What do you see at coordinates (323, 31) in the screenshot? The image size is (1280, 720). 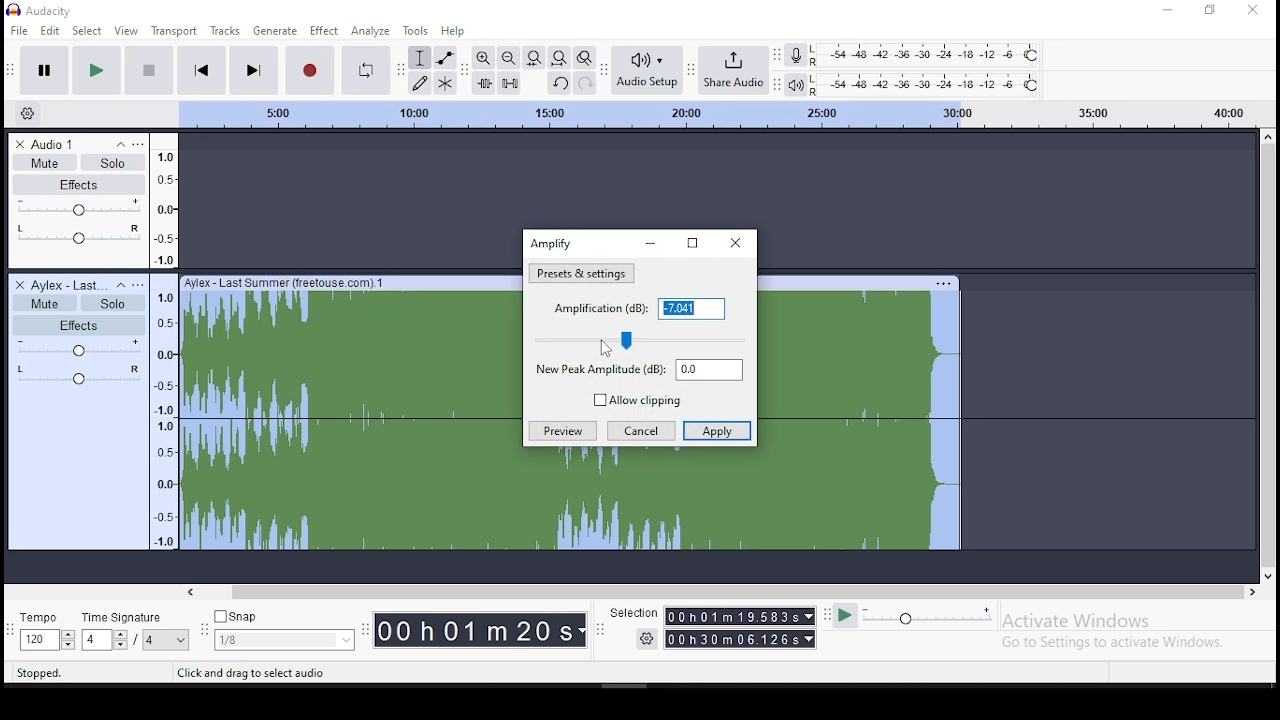 I see `effect` at bounding box center [323, 31].